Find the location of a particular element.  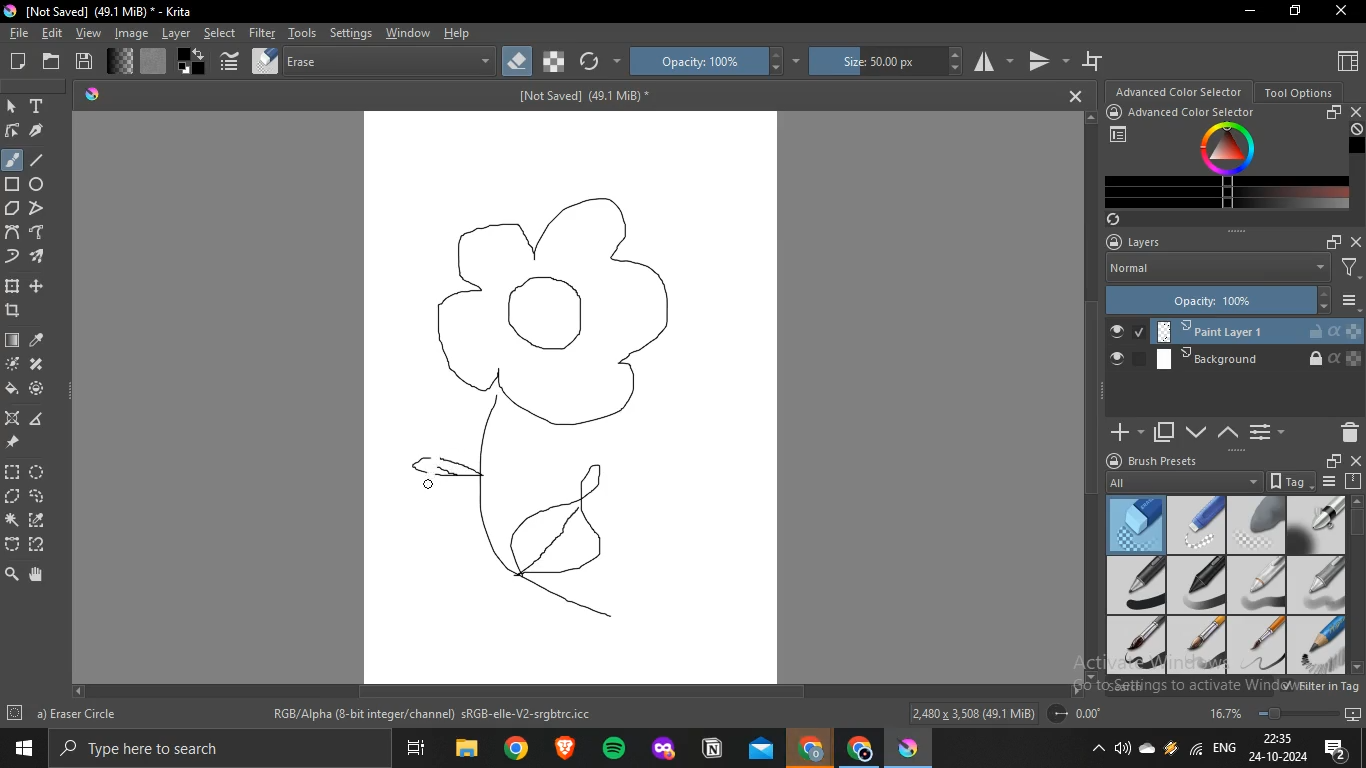

Application is located at coordinates (713, 748).